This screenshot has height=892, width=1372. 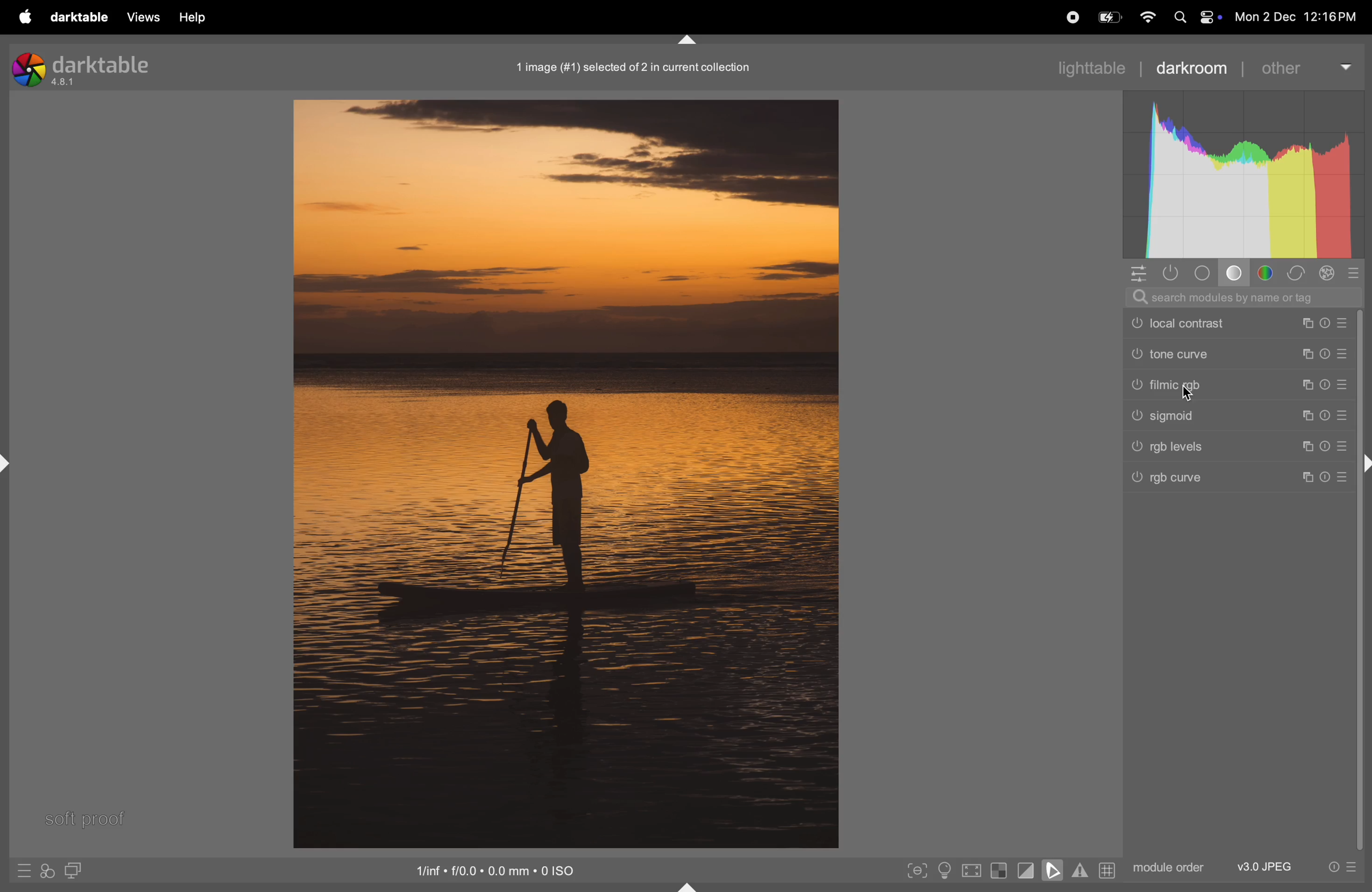 What do you see at coordinates (1206, 273) in the screenshot?
I see `tone ` at bounding box center [1206, 273].